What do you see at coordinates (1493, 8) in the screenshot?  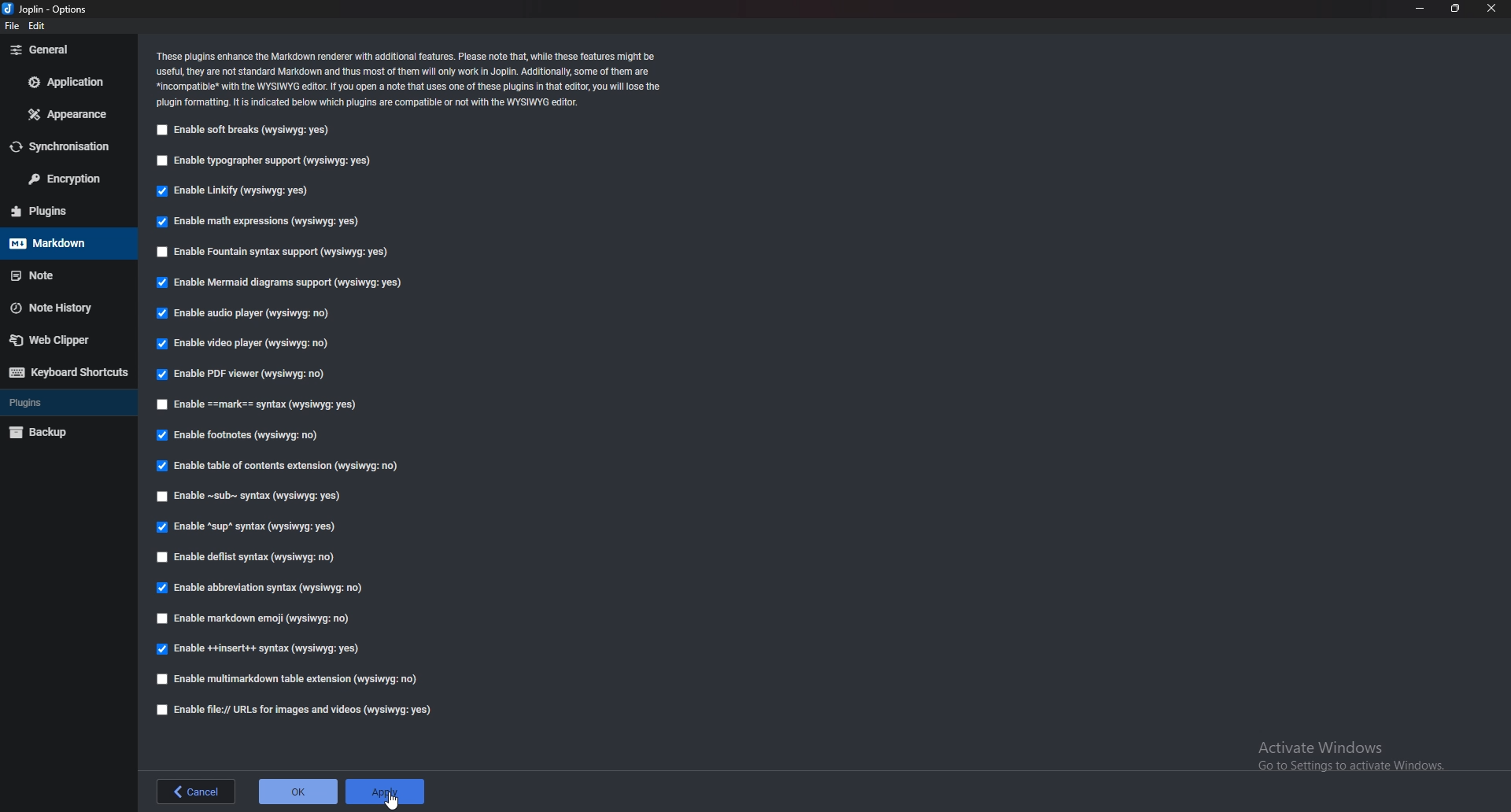 I see `close` at bounding box center [1493, 8].